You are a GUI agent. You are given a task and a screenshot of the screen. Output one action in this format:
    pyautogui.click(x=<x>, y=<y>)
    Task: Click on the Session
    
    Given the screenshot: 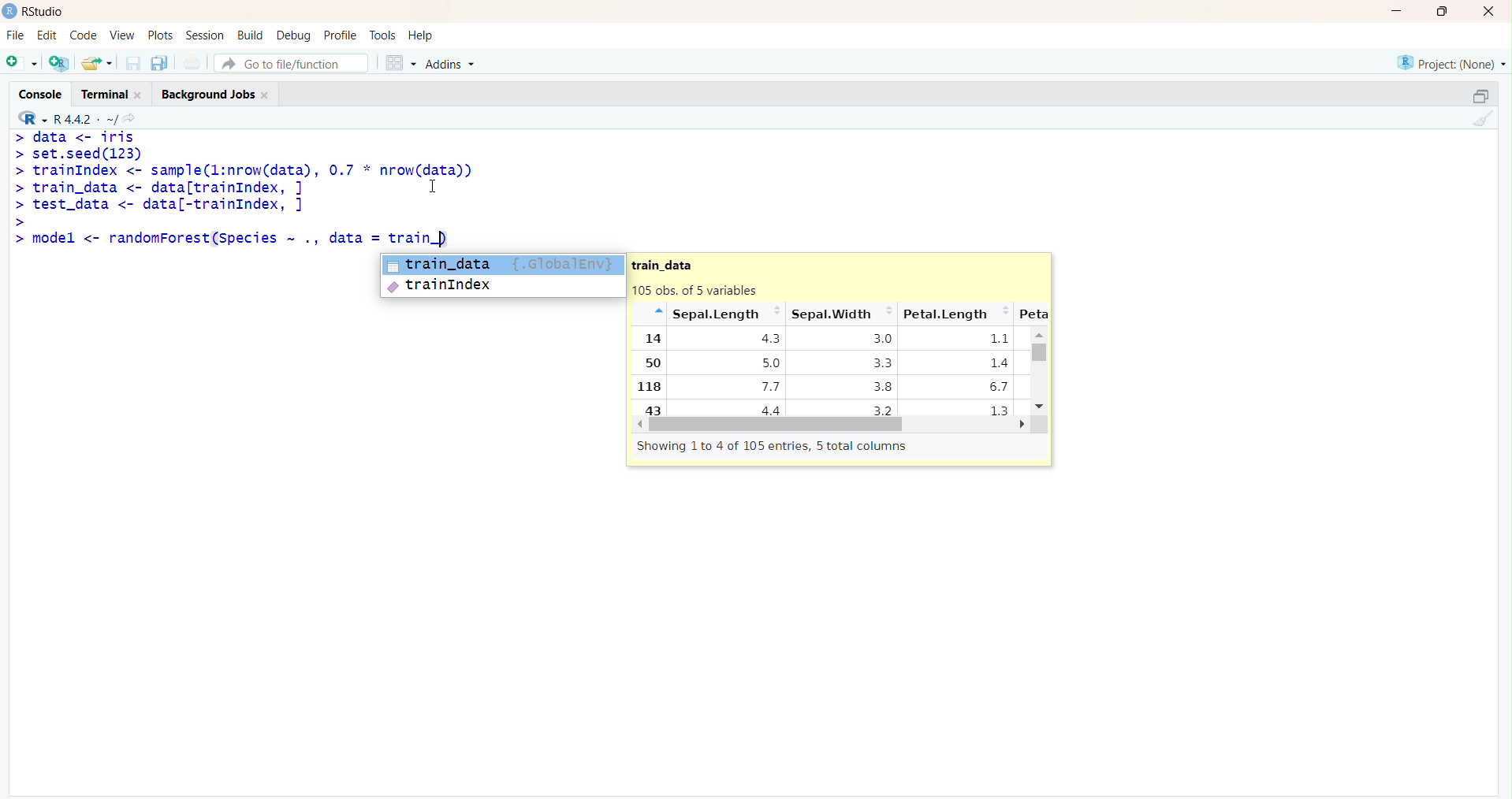 What is the action you would take?
    pyautogui.click(x=205, y=36)
    